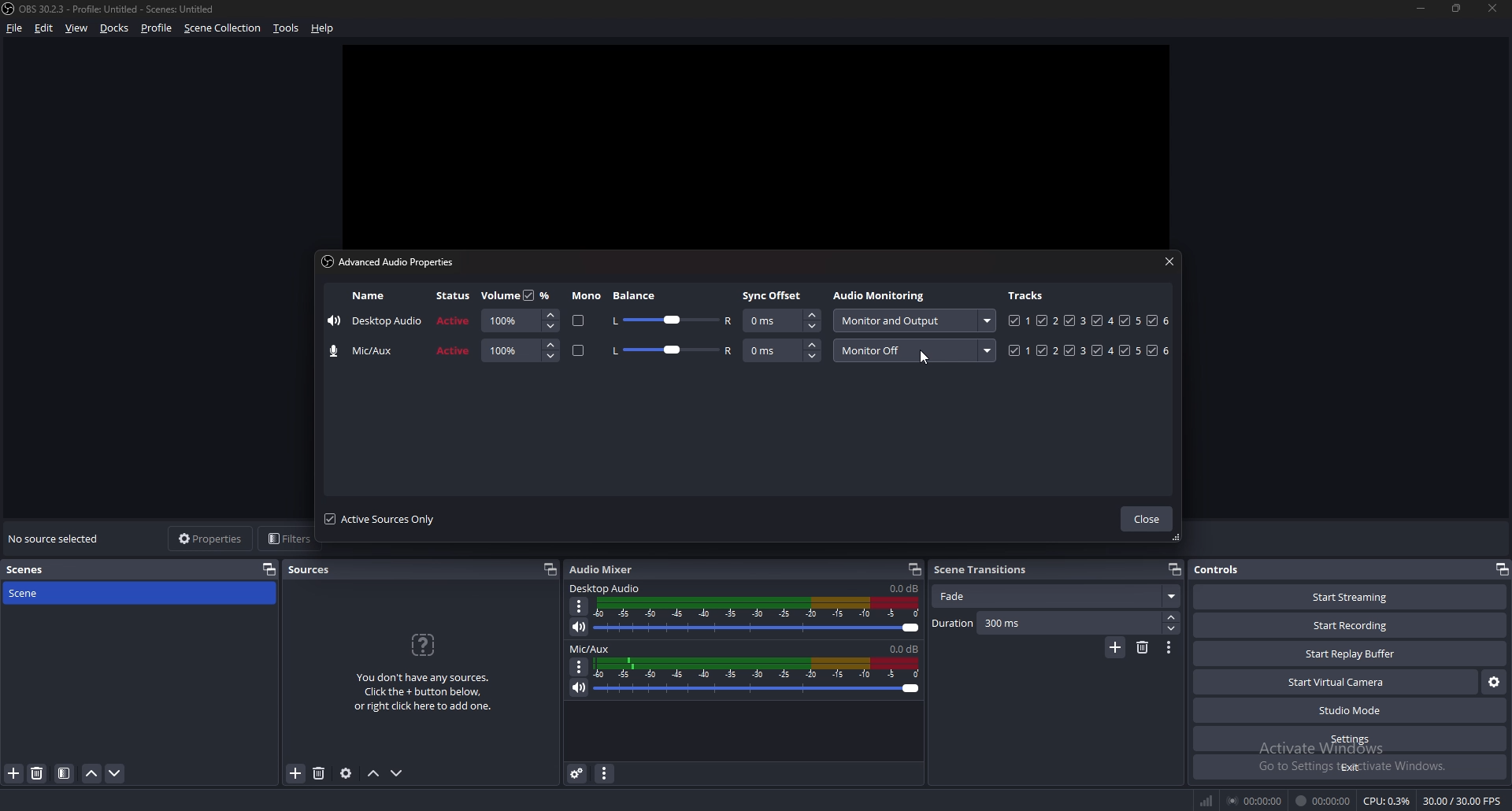 The width and height of the screenshot is (1512, 811). Describe the element at coordinates (1352, 624) in the screenshot. I see `start recording` at that location.